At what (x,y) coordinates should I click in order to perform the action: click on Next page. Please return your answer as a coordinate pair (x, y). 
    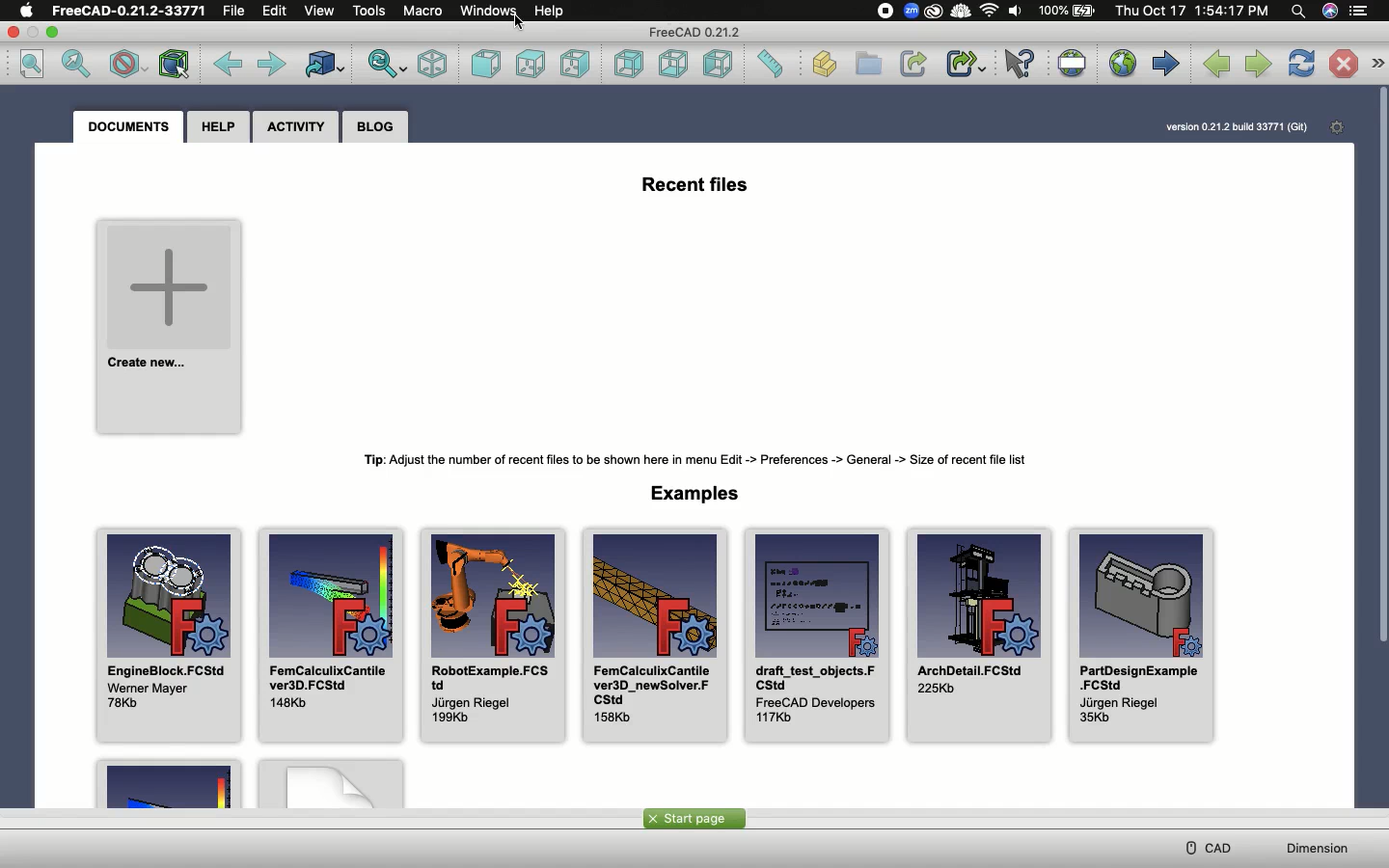
    Looking at the image, I should click on (1259, 64).